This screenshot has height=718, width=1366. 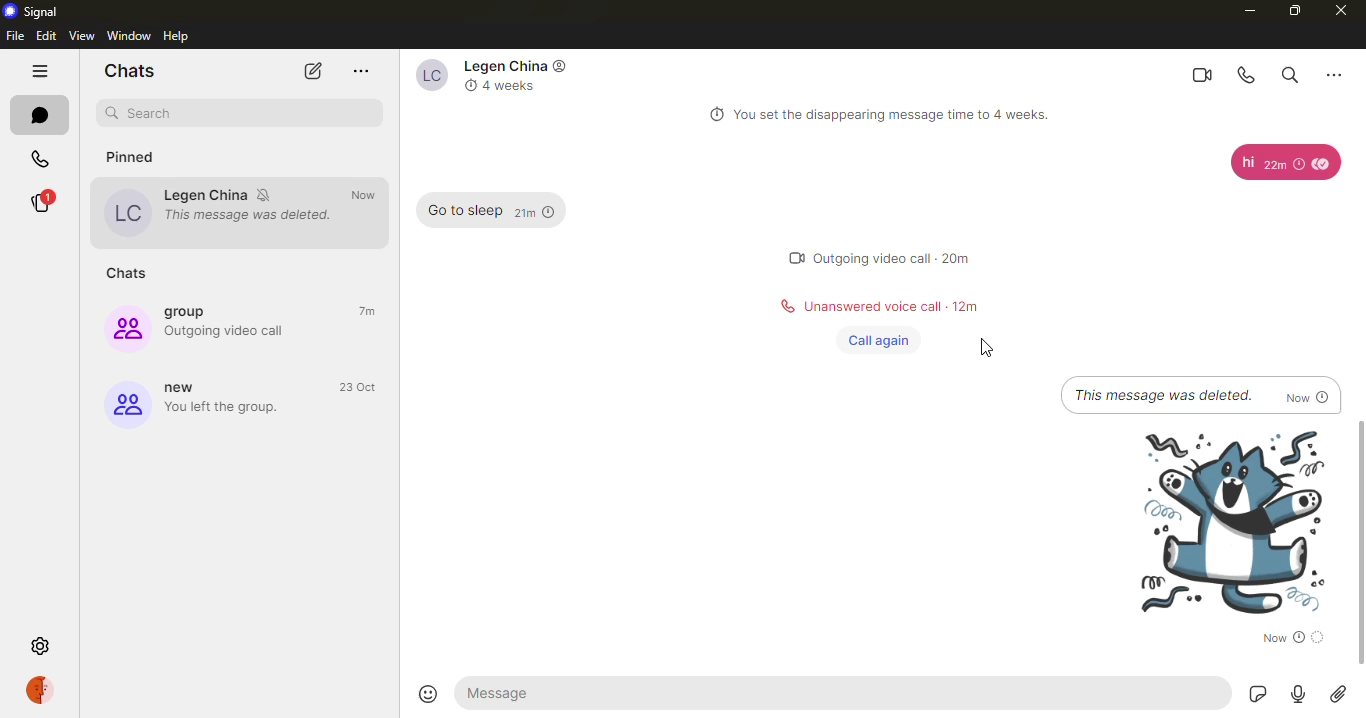 I want to click on settings, so click(x=41, y=647).